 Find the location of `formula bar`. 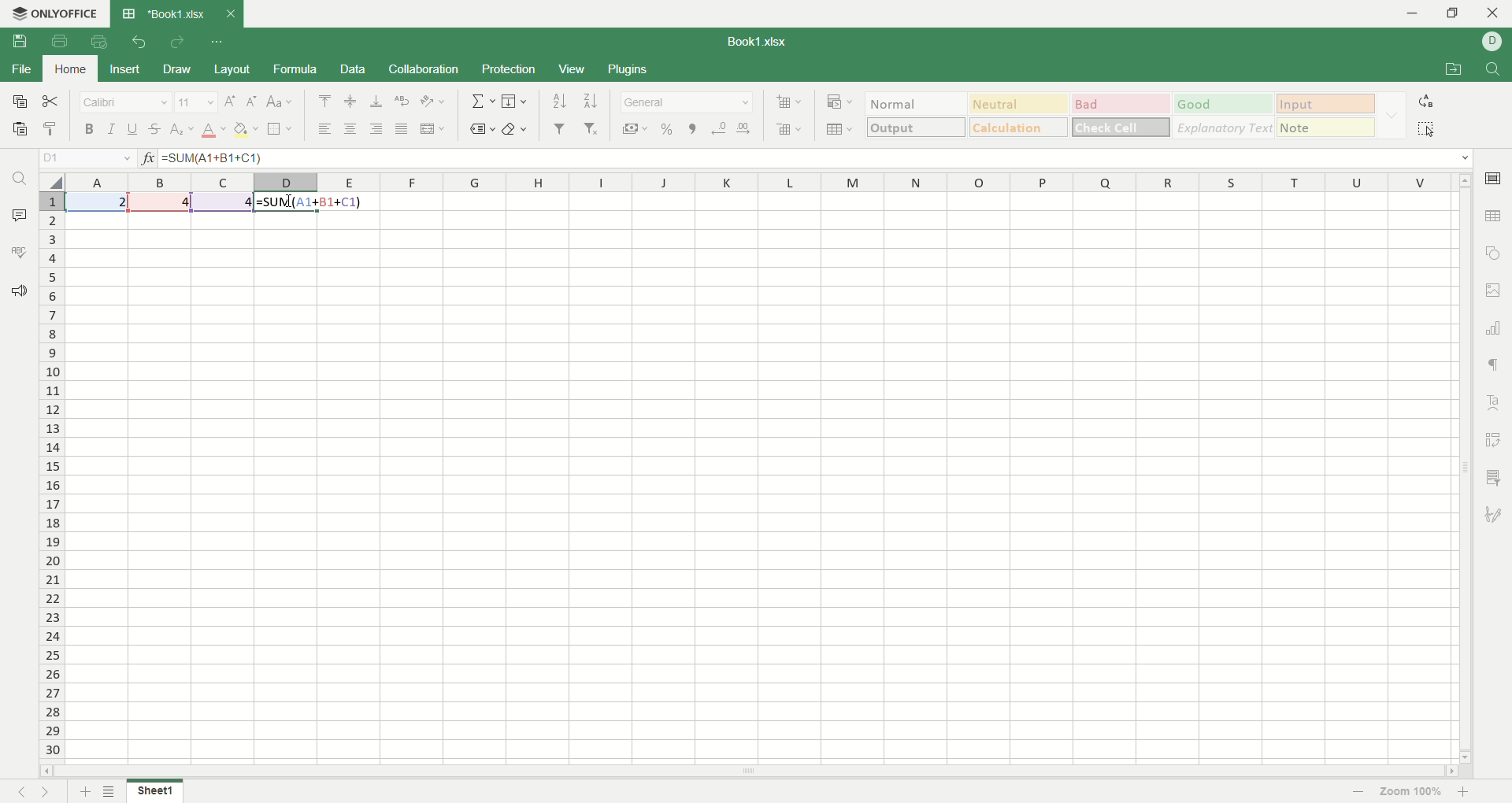

formula bar is located at coordinates (817, 157).